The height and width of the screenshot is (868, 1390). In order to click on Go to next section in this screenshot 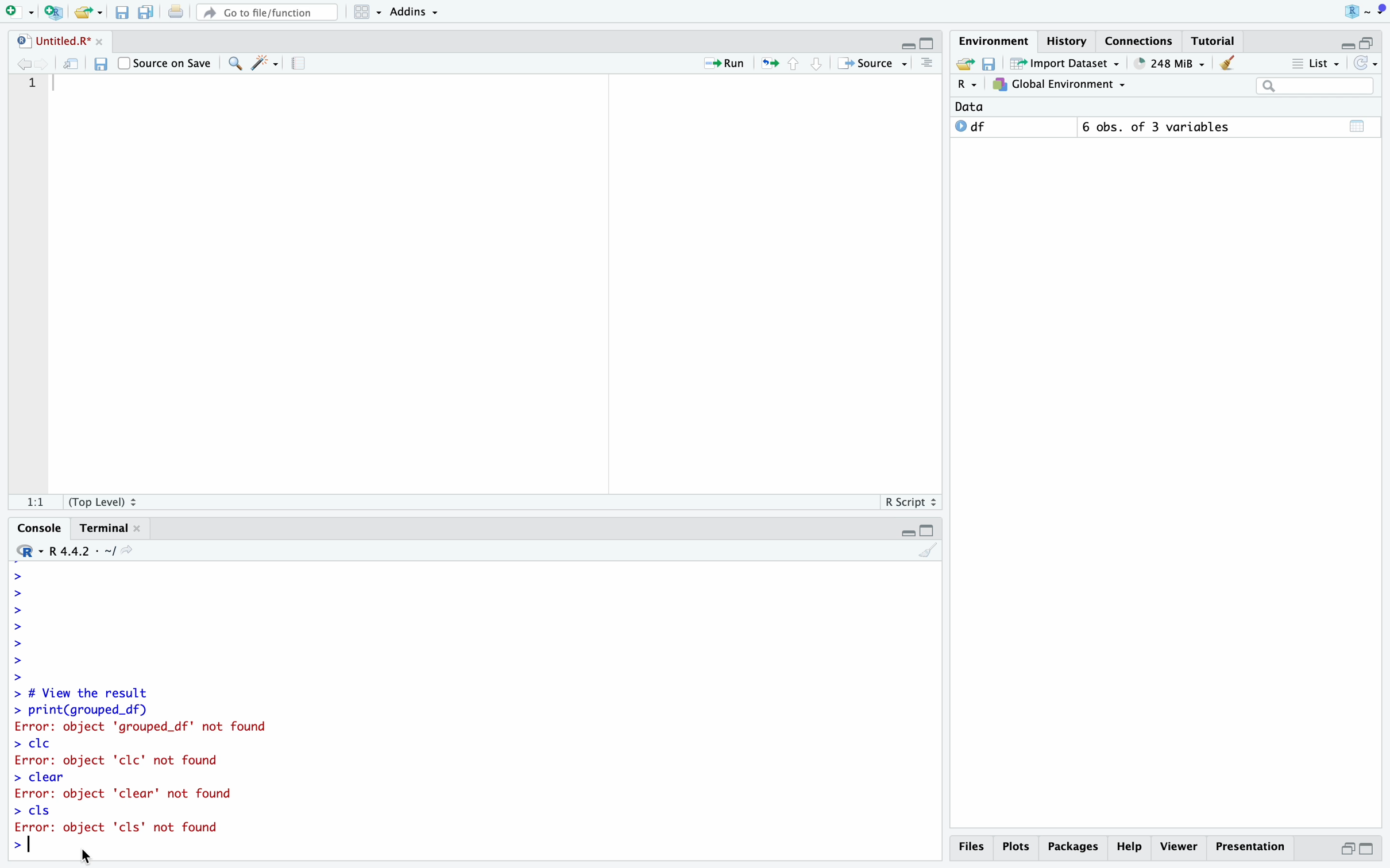, I will do `click(816, 63)`.